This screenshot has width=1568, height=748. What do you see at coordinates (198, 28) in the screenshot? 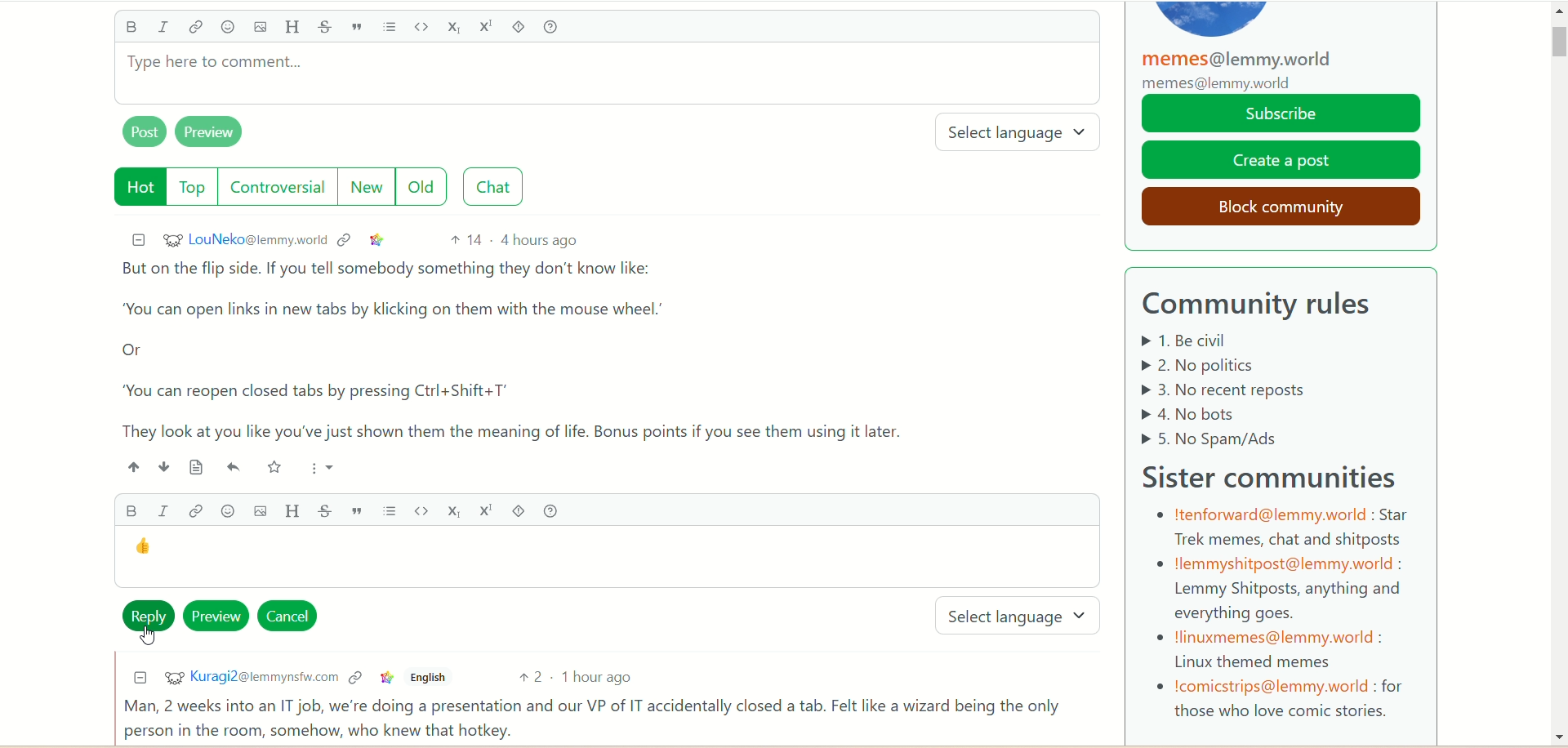
I see `link` at bounding box center [198, 28].